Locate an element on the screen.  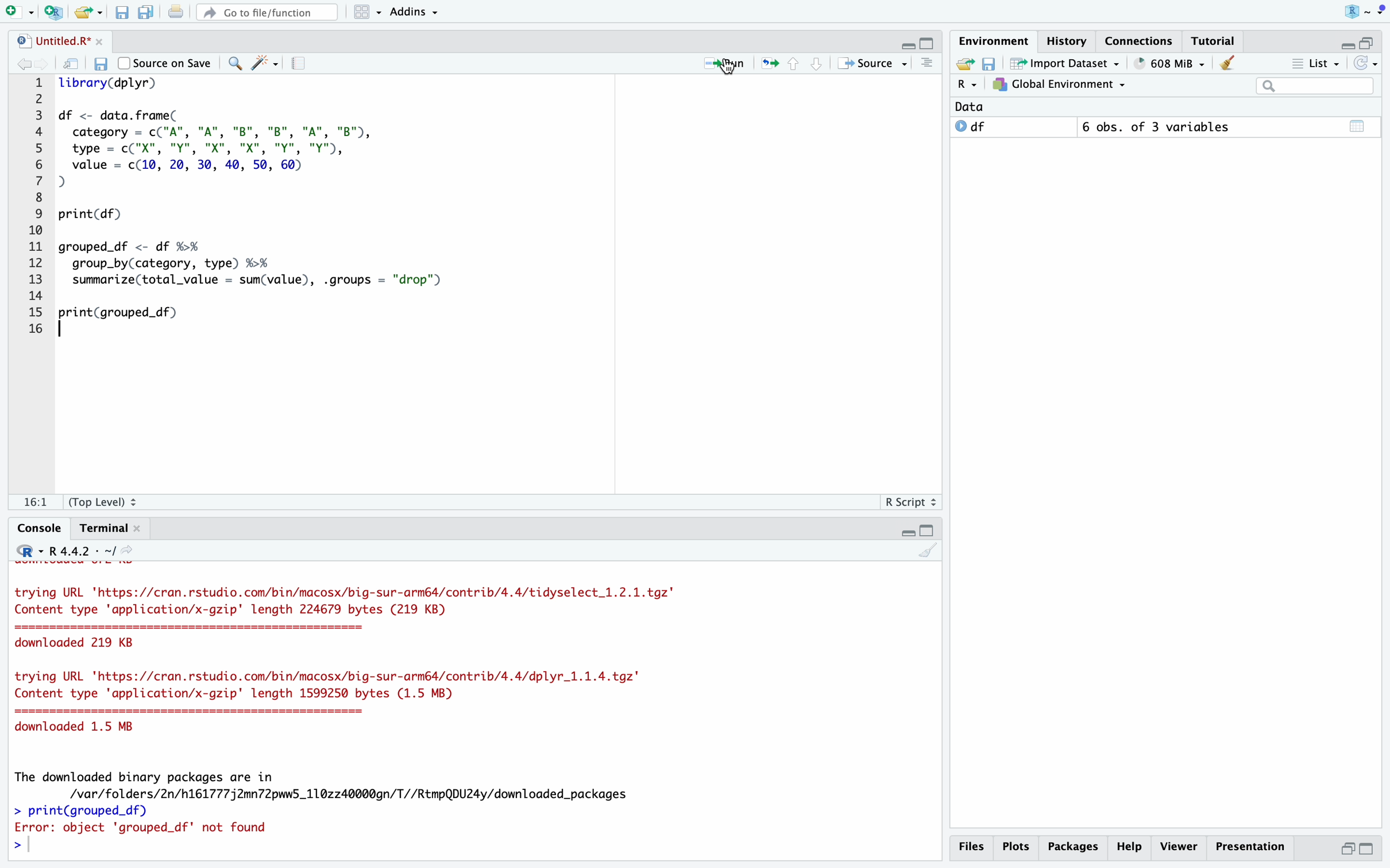
Open new file is located at coordinates (21, 11).